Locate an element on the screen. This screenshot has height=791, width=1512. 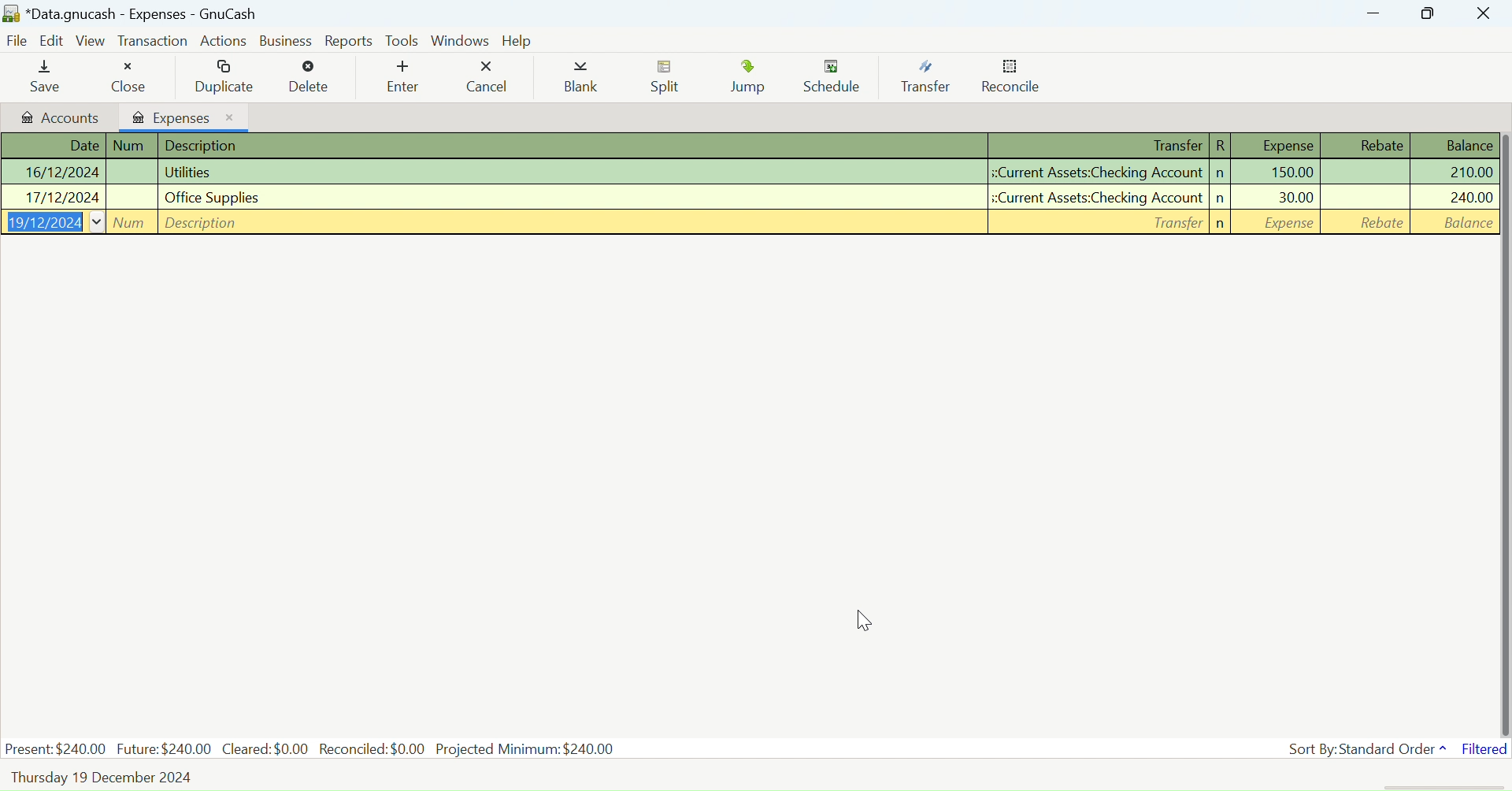
Help is located at coordinates (520, 41).